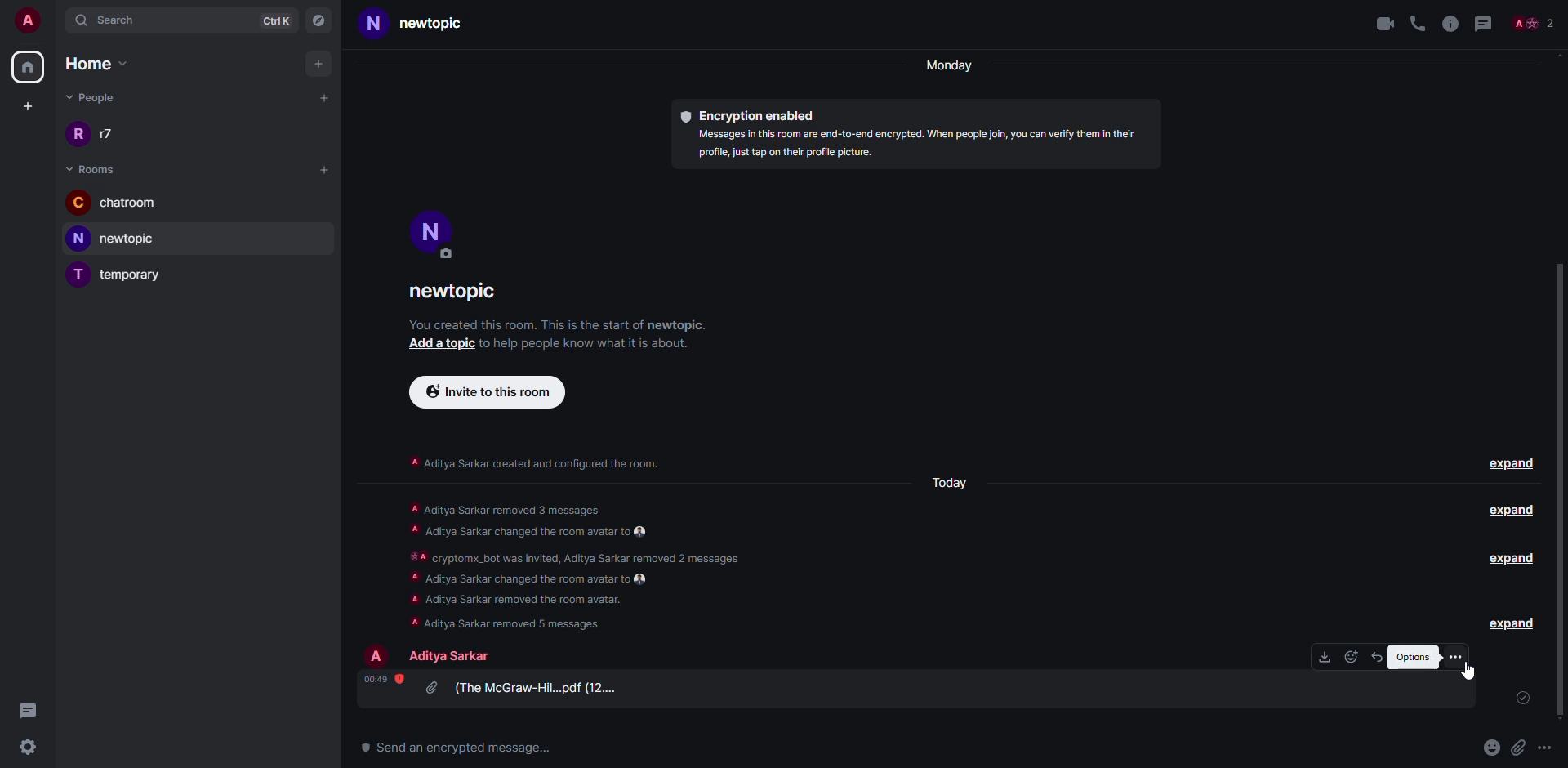 The width and height of the screenshot is (1568, 768). What do you see at coordinates (1518, 747) in the screenshot?
I see `attach` at bounding box center [1518, 747].